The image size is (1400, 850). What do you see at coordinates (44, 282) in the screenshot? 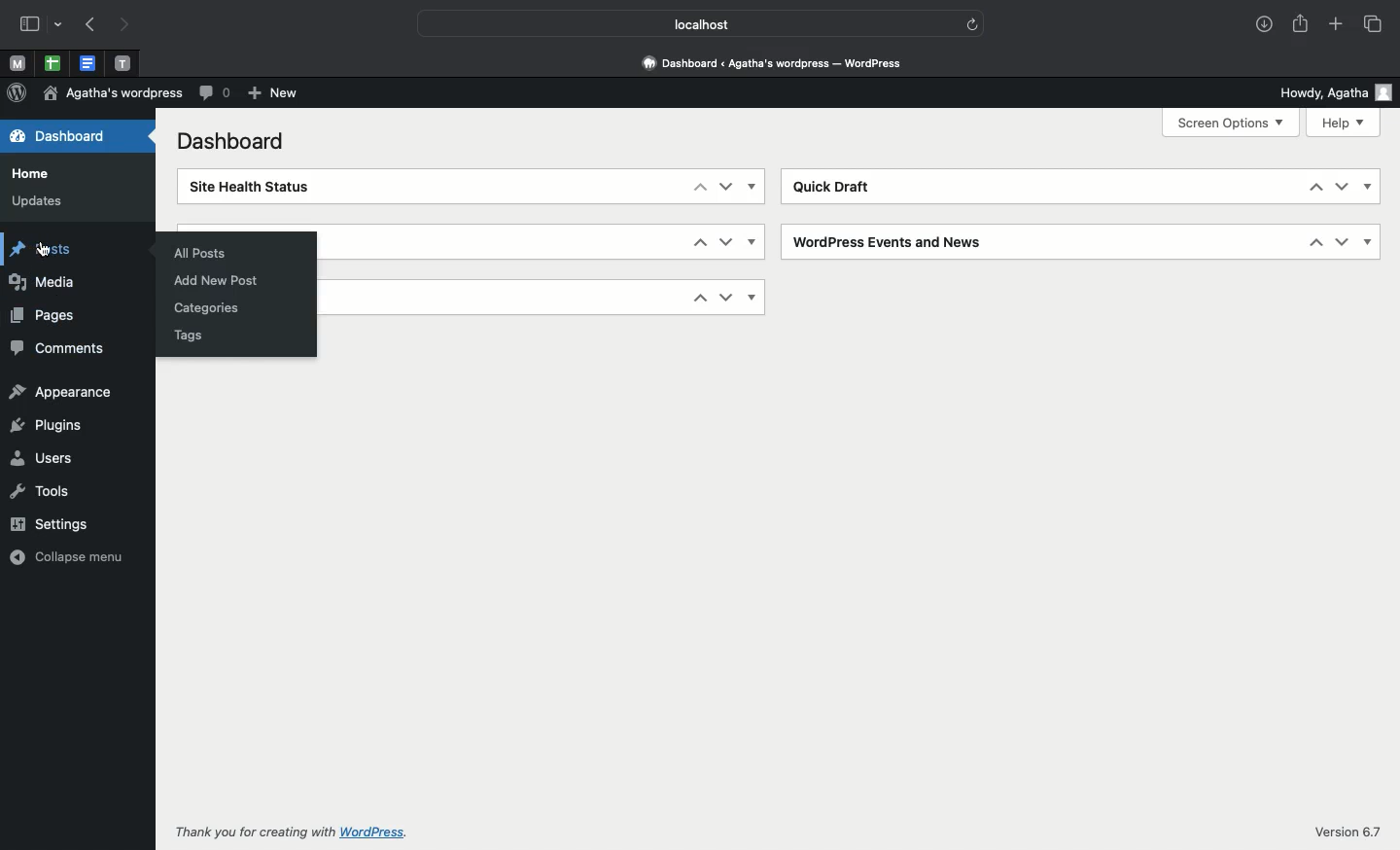
I see `Media` at bounding box center [44, 282].